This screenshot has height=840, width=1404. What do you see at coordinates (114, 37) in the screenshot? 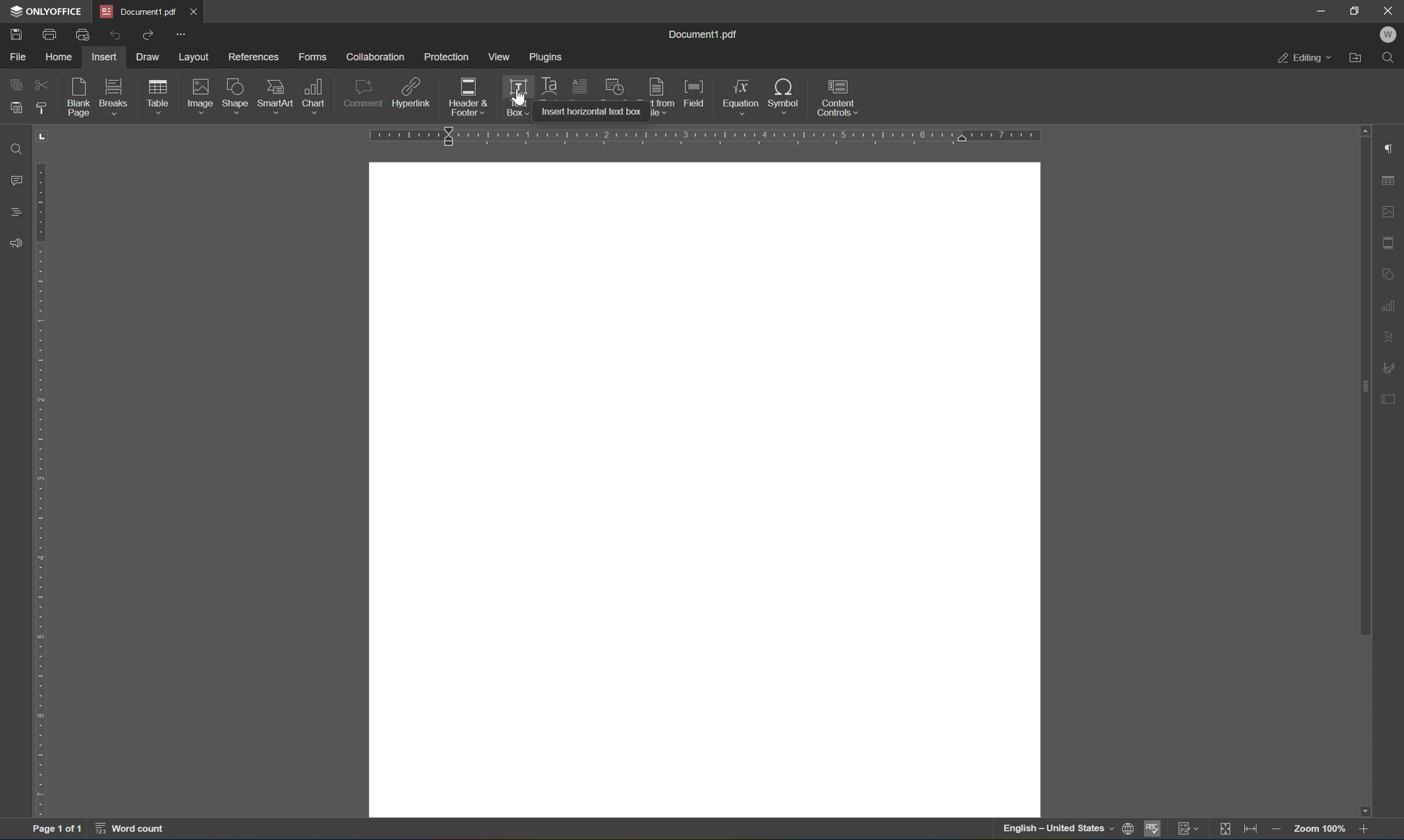
I see `Undo` at bounding box center [114, 37].